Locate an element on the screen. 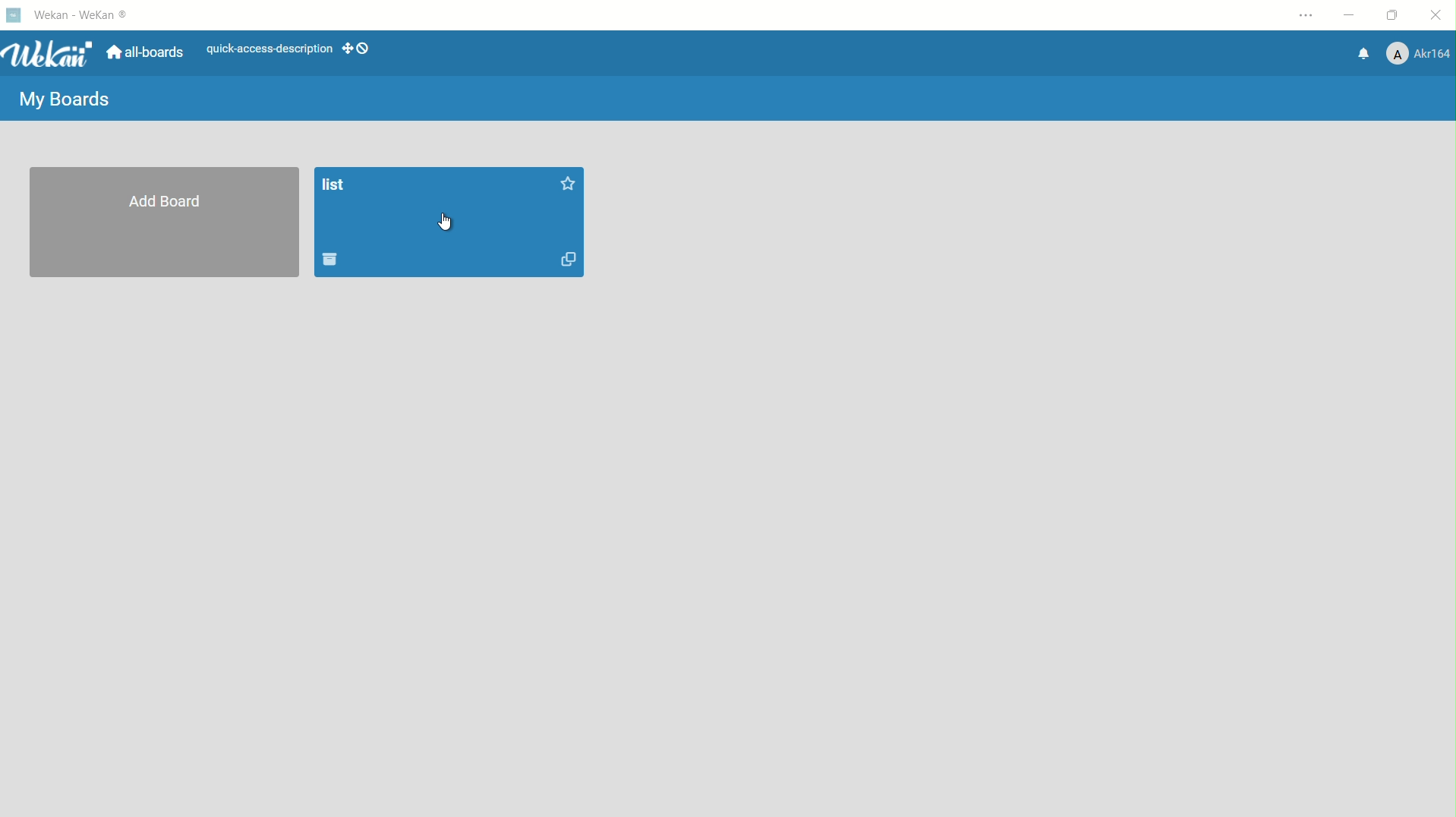  add star to this board is located at coordinates (571, 183).